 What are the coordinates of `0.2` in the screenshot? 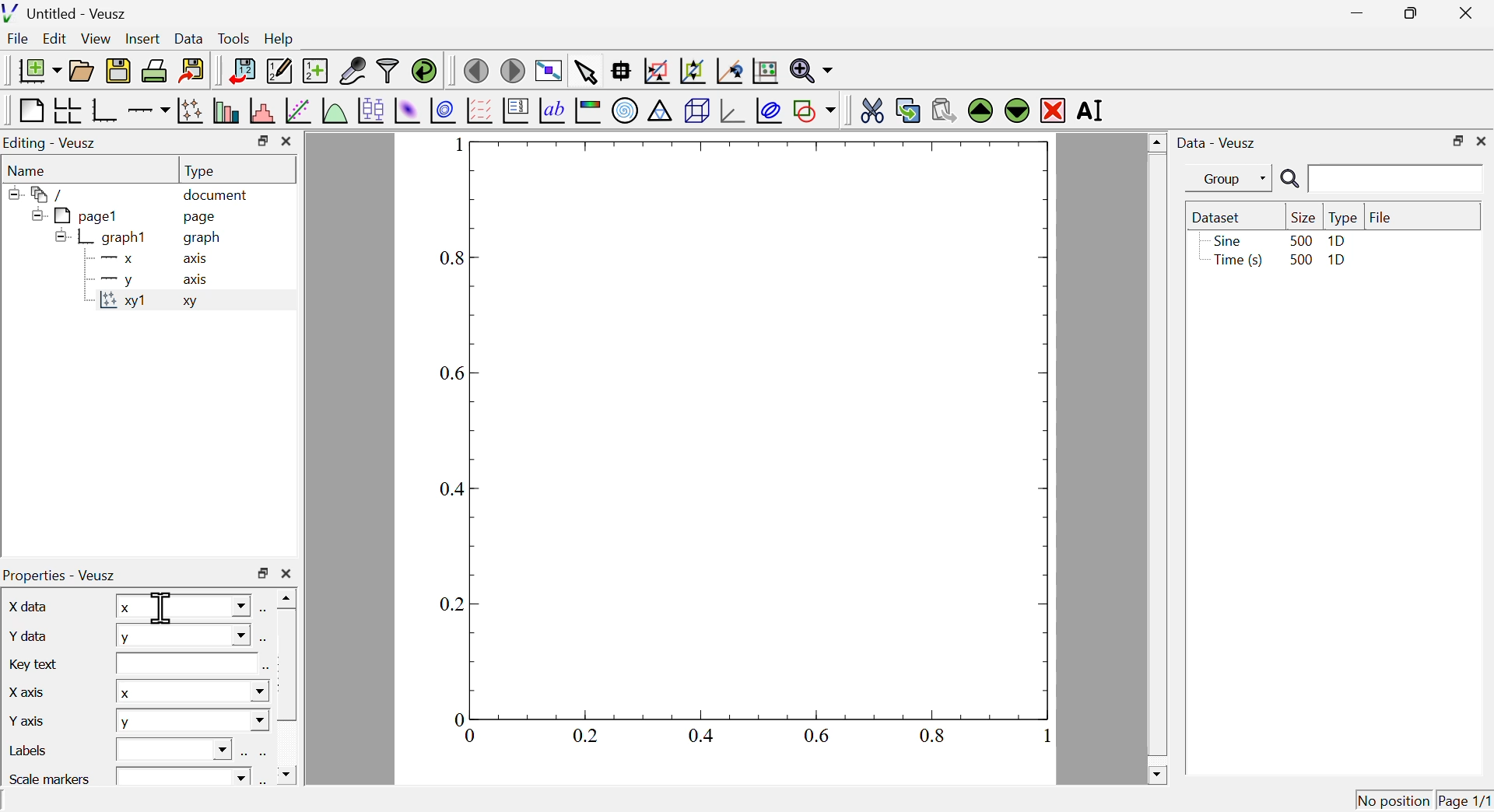 It's located at (585, 736).